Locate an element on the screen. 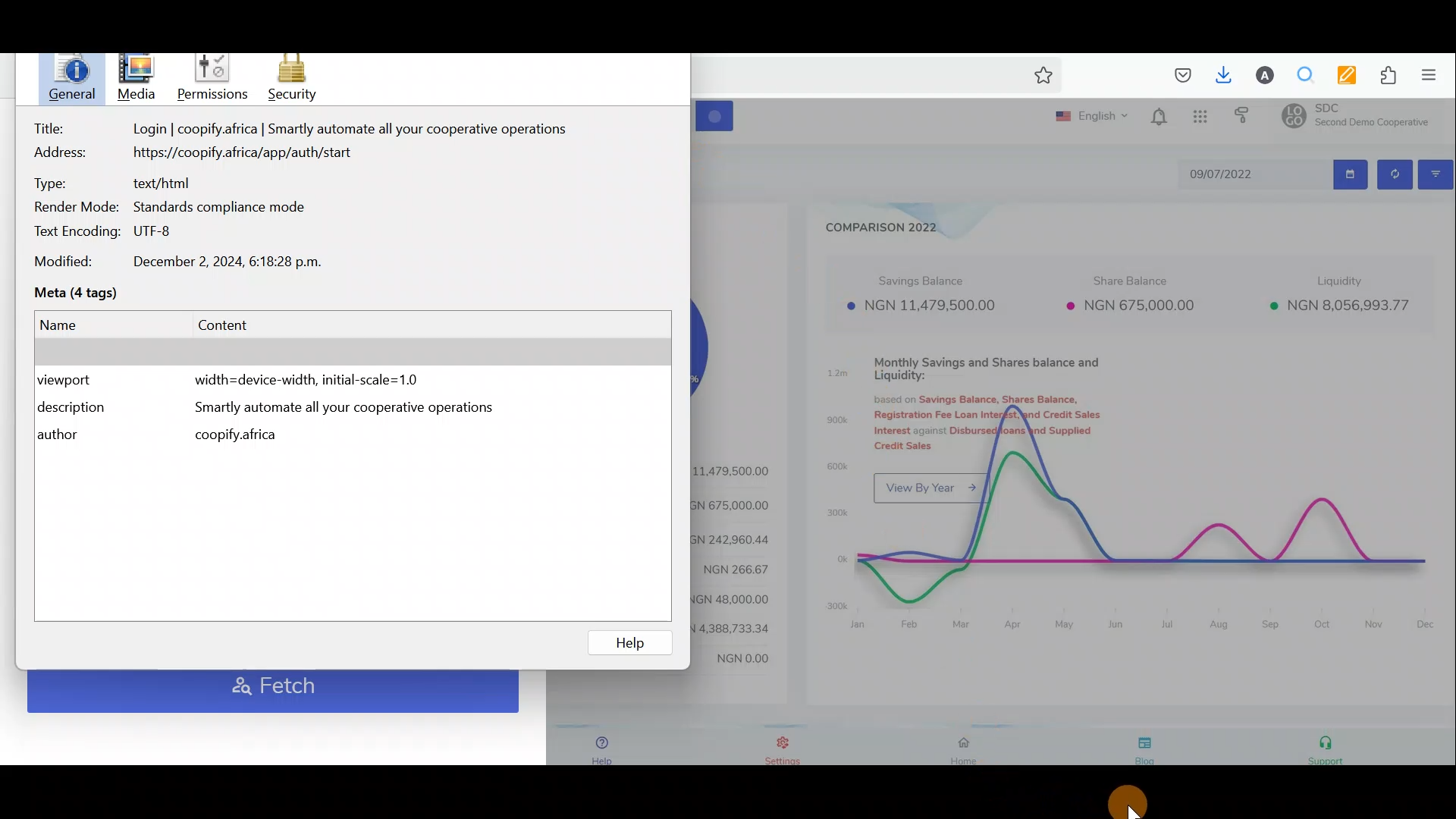  Security is located at coordinates (293, 80).